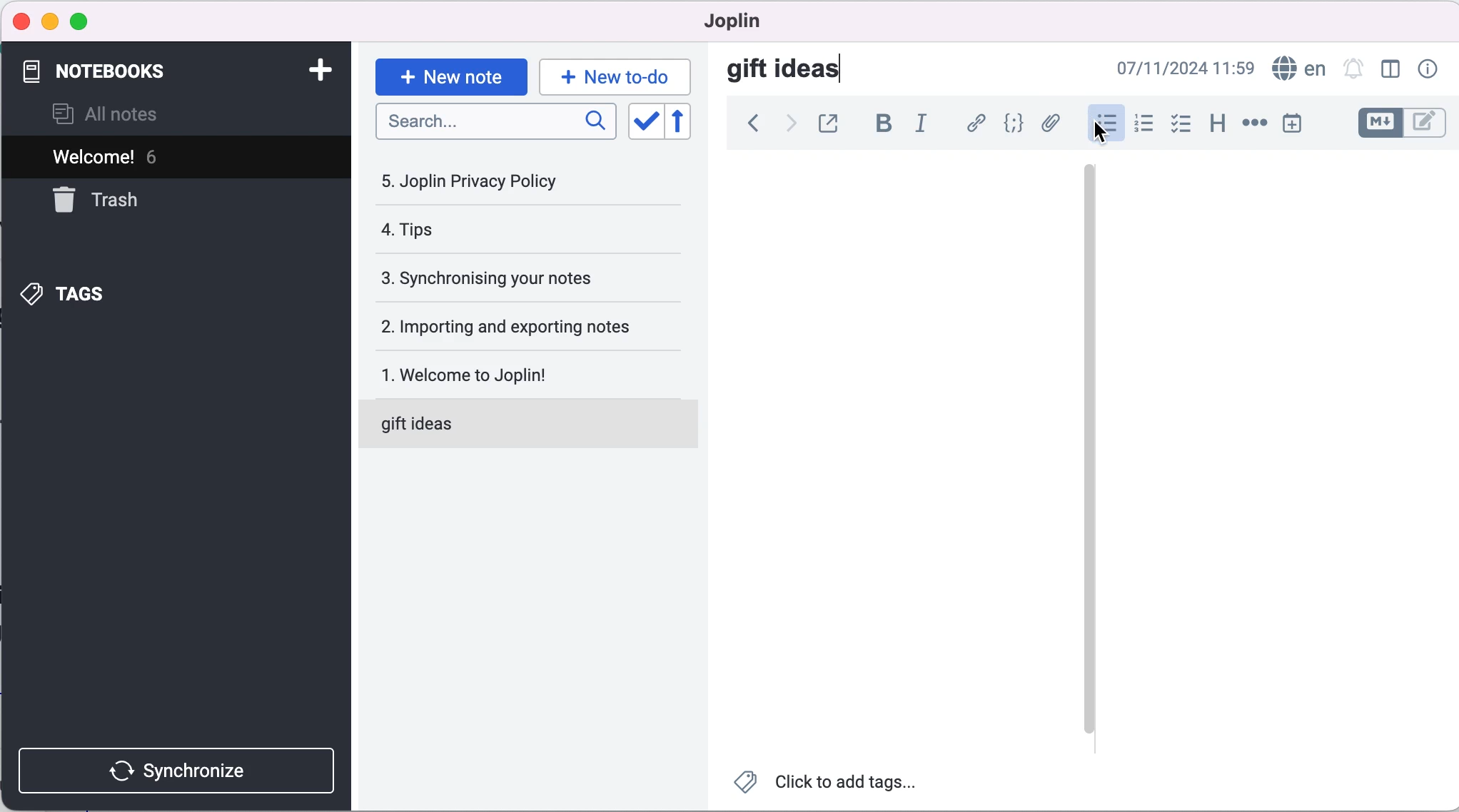  Describe the element at coordinates (975, 123) in the screenshot. I see `hyperlink` at that location.